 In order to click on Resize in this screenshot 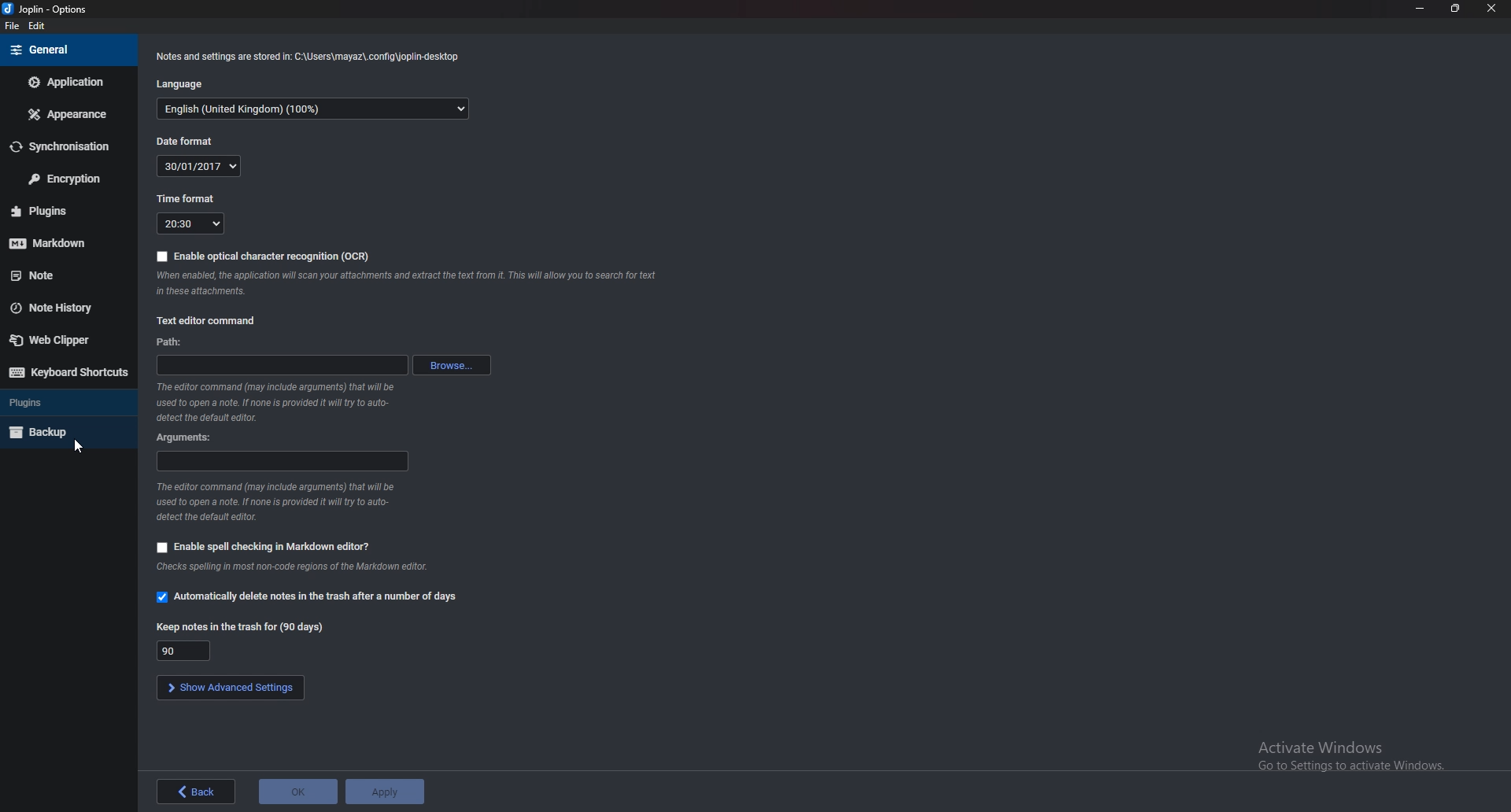, I will do `click(1457, 8)`.